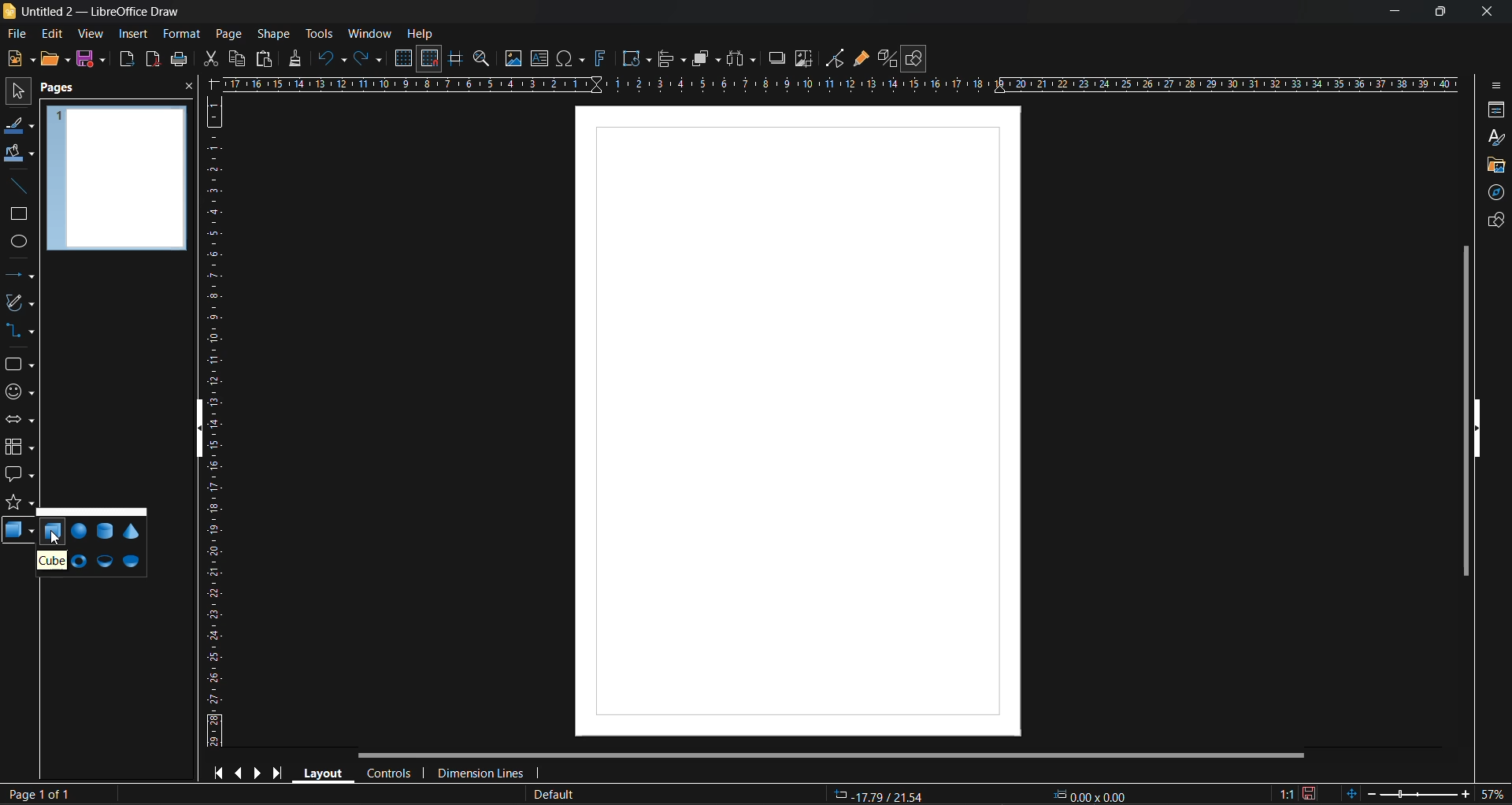 The image size is (1512, 805). I want to click on crop image, so click(804, 61).